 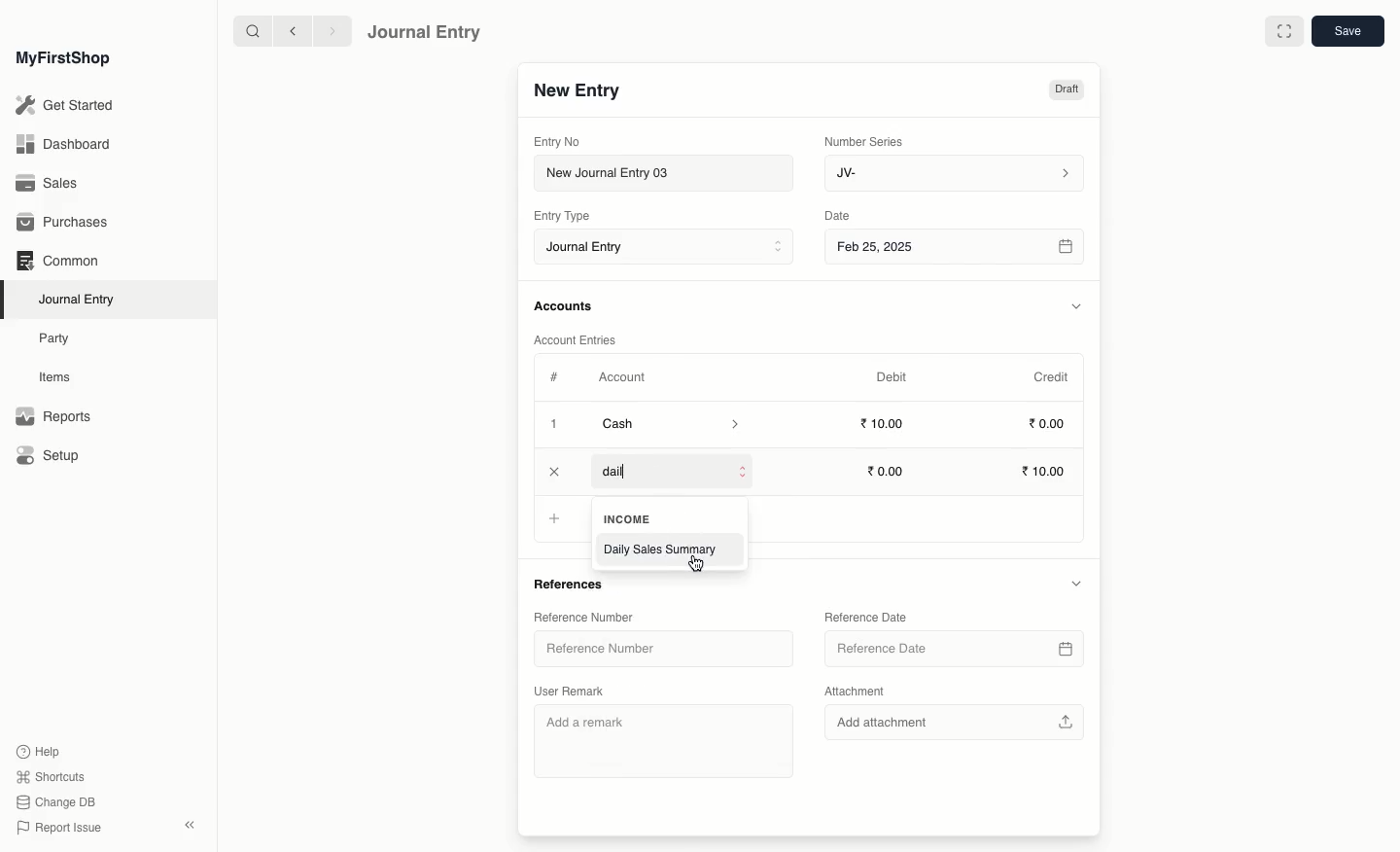 What do you see at coordinates (66, 106) in the screenshot?
I see `Get Started` at bounding box center [66, 106].